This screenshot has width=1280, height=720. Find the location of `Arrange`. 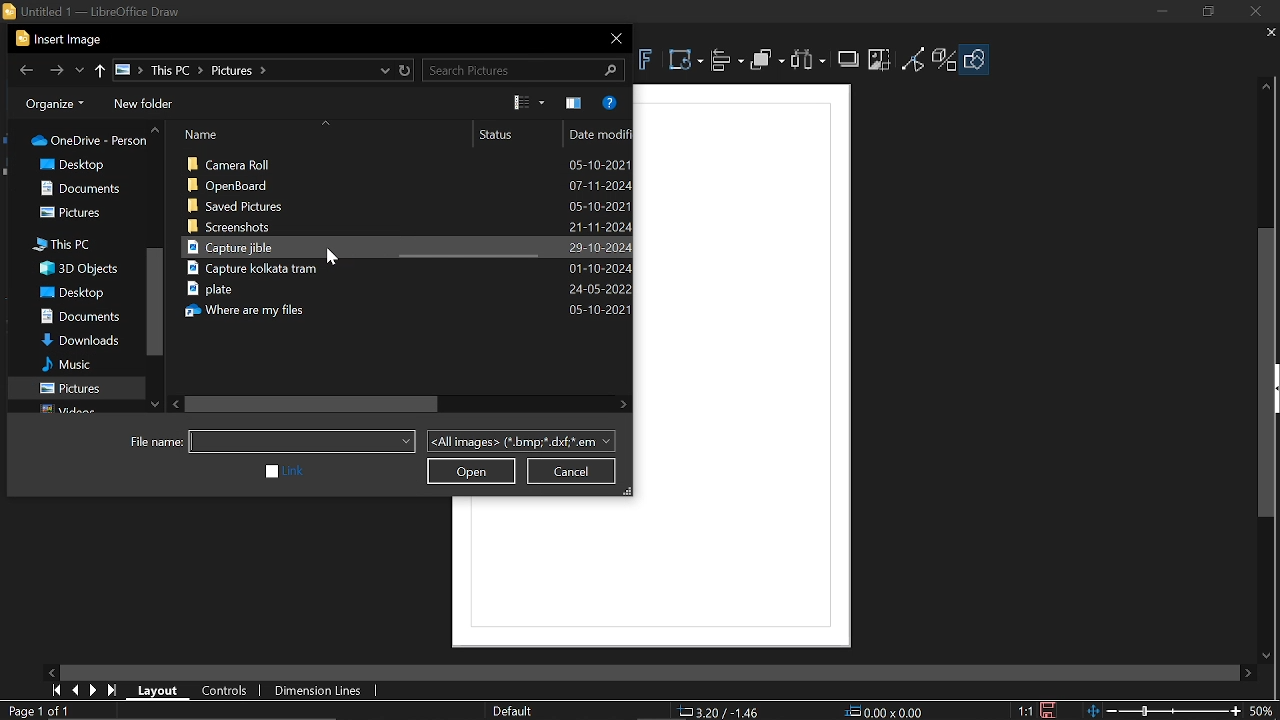

Arrange is located at coordinates (768, 63).